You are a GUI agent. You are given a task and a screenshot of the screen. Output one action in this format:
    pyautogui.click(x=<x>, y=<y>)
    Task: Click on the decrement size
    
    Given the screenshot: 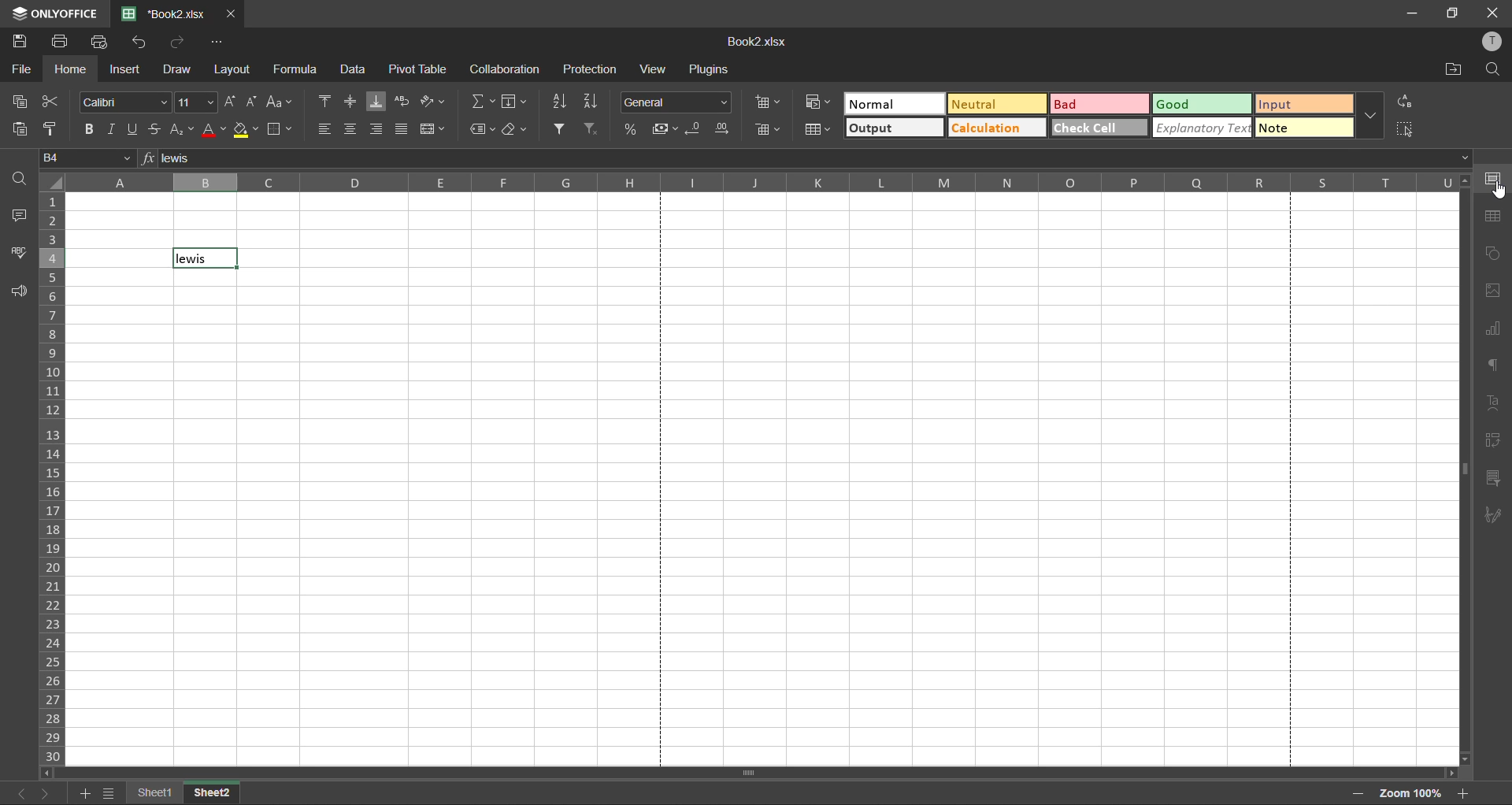 What is the action you would take?
    pyautogui.click(x=253, y=104)
    